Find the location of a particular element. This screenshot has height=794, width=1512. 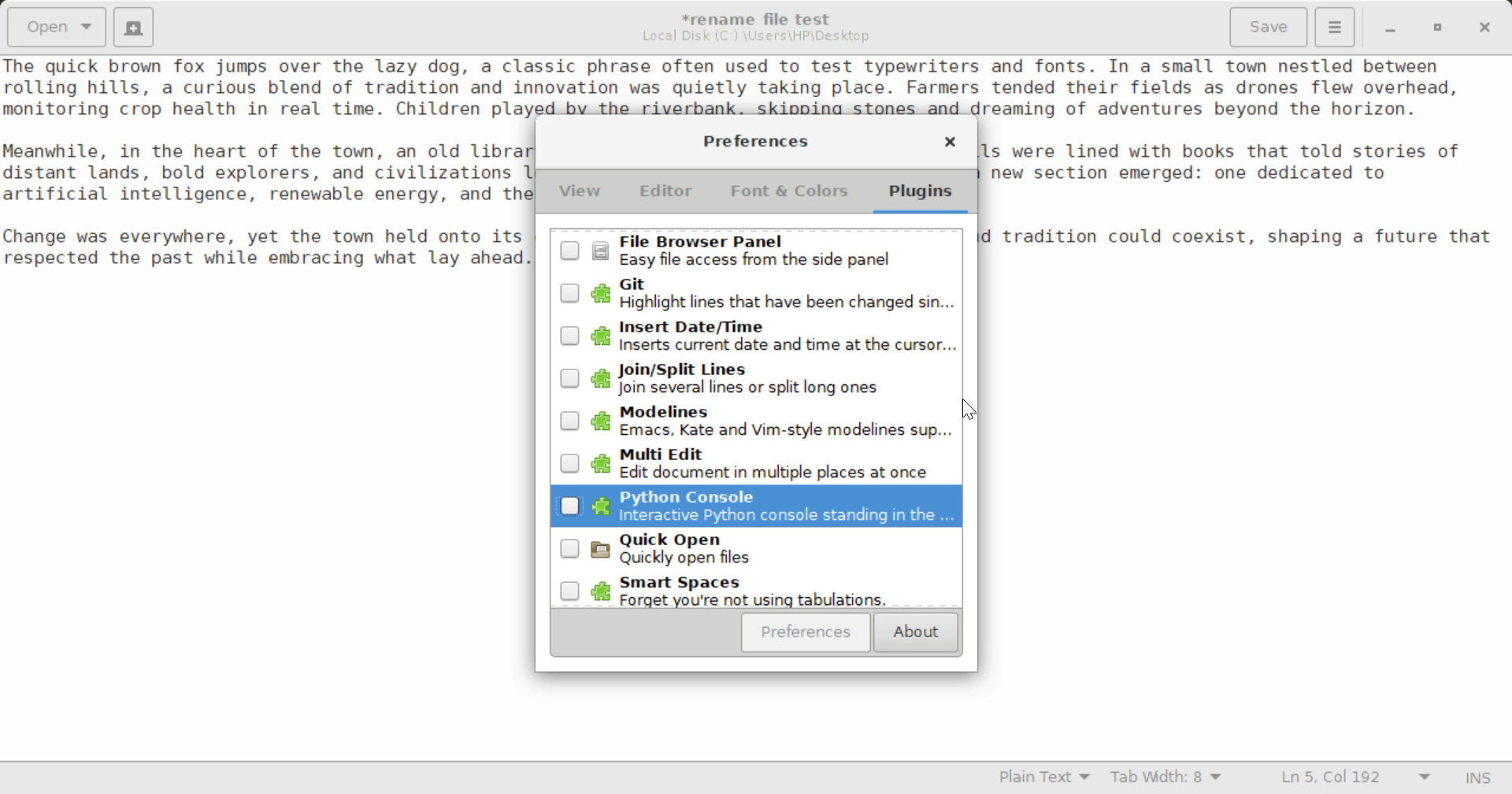

Unselected Quickly Open Plugin is located at coordinates (755, 552).